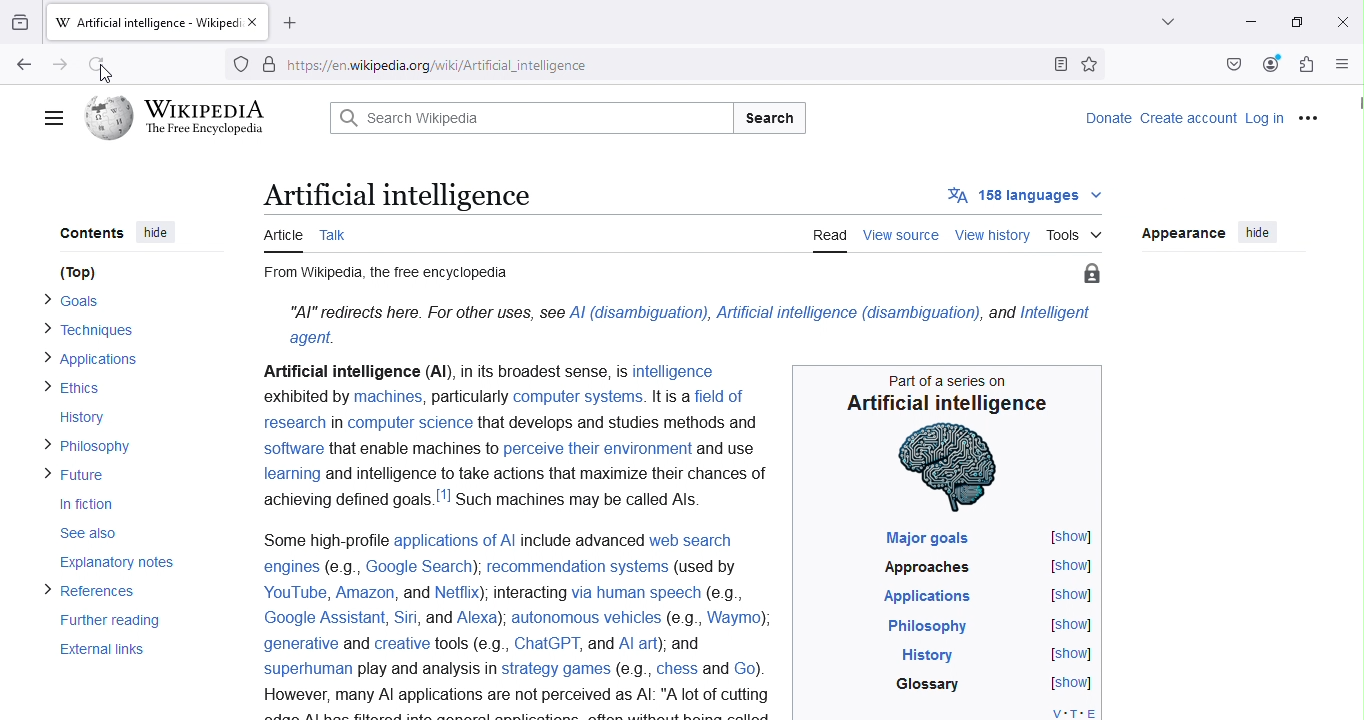 The image size is (1364, 720). Describe the element at coordinates (1263, 232) in the screenshot. I see `hide` at that location.